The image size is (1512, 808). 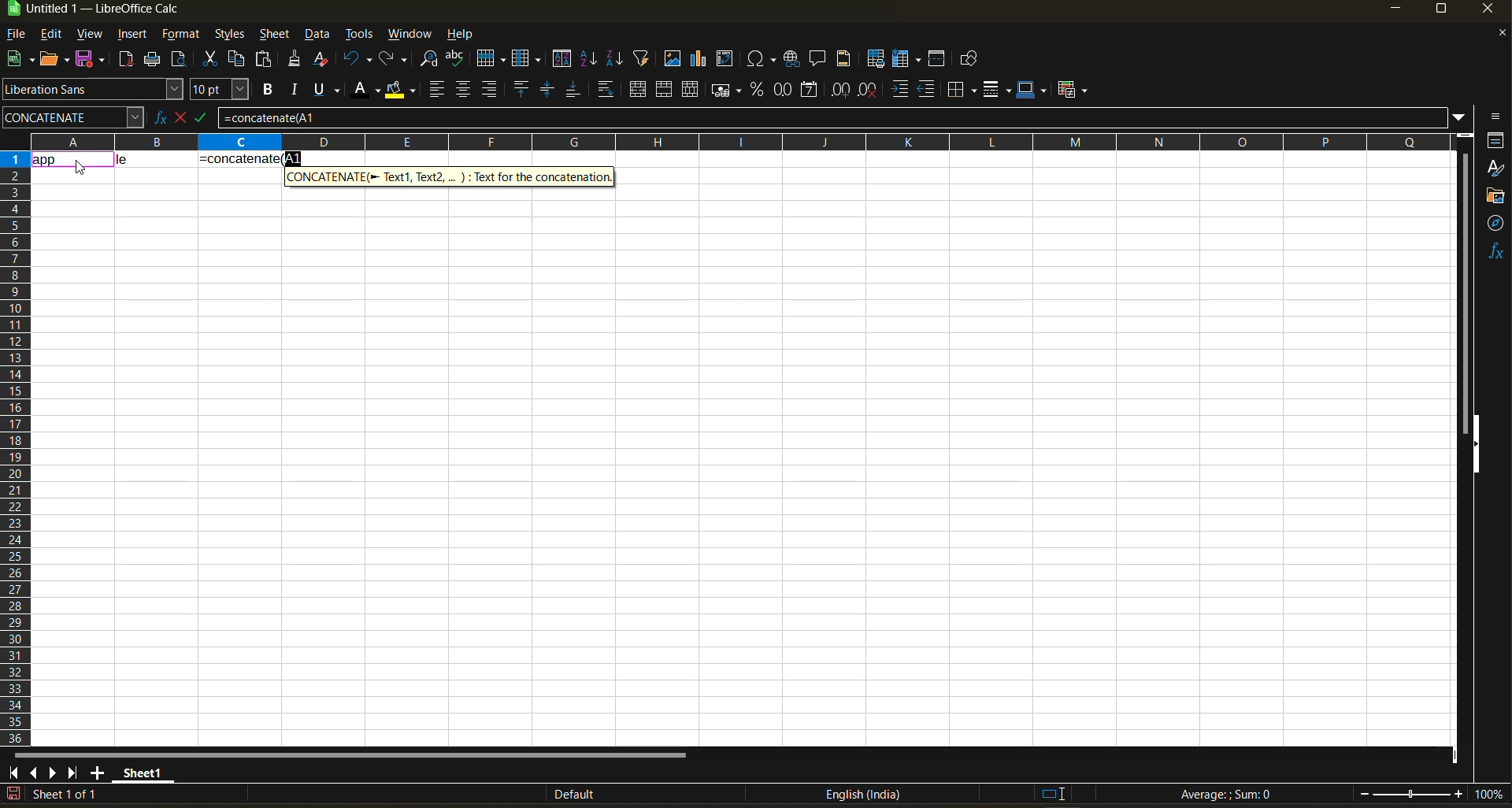 What do you see at coordinates (324, 58) in the screenshot?
I see `clear direct formatting` at bounding box center [324, 58].